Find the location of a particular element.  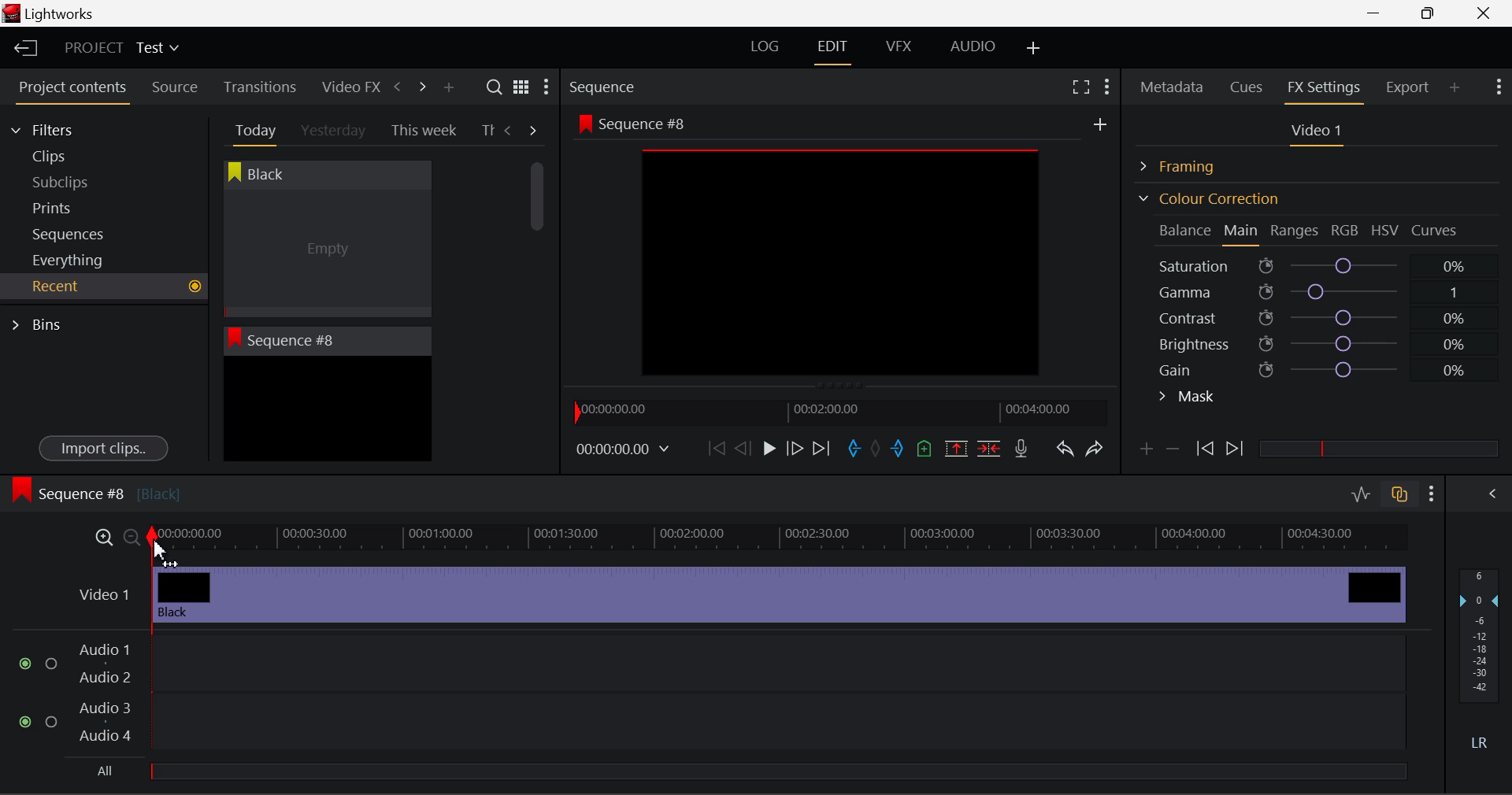

Scroll Bar is located at coordinates (538, 299).